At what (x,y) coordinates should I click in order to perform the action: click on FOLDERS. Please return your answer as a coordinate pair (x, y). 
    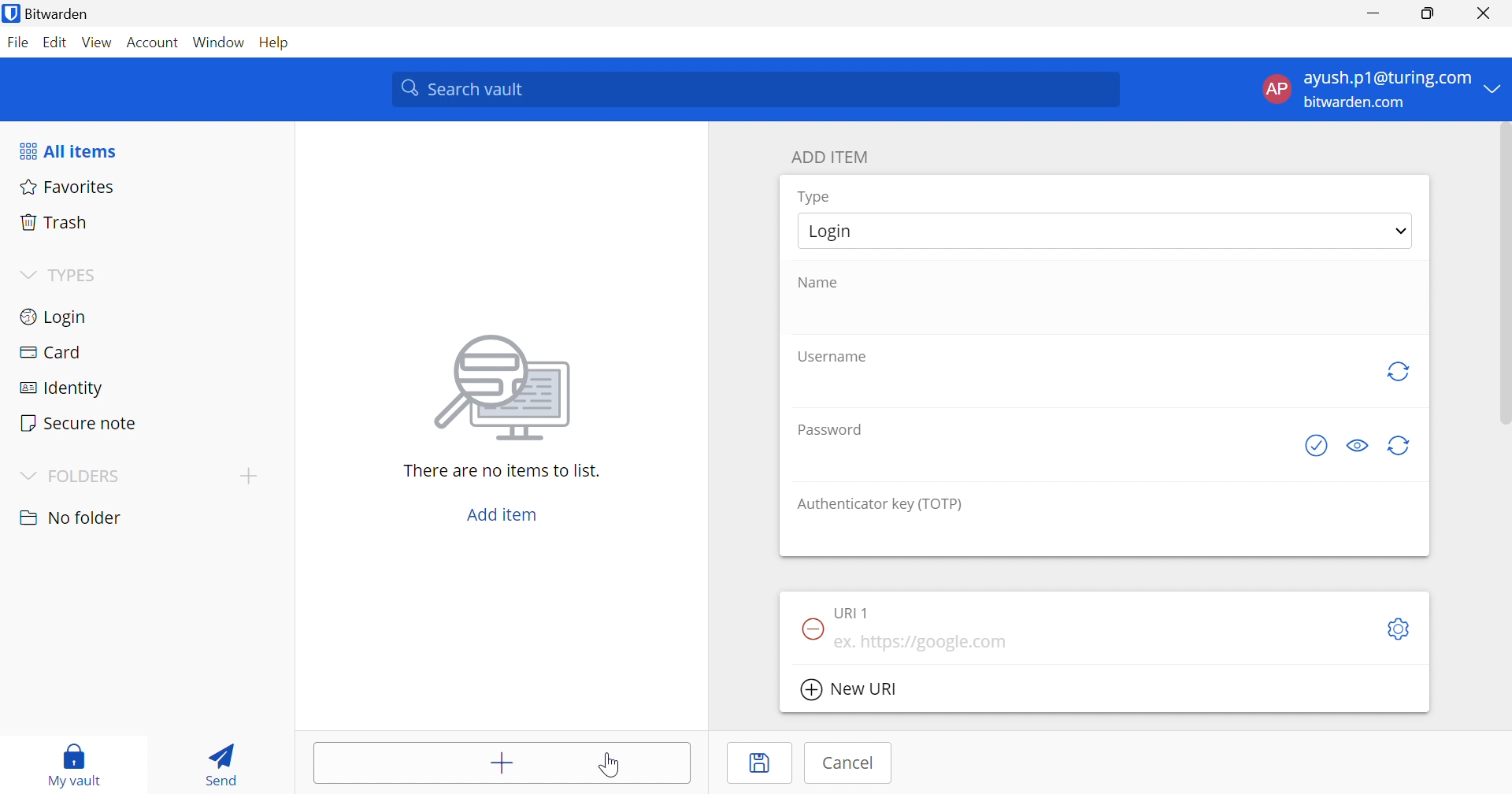
    Looking at the image, I should click on (87, 477).